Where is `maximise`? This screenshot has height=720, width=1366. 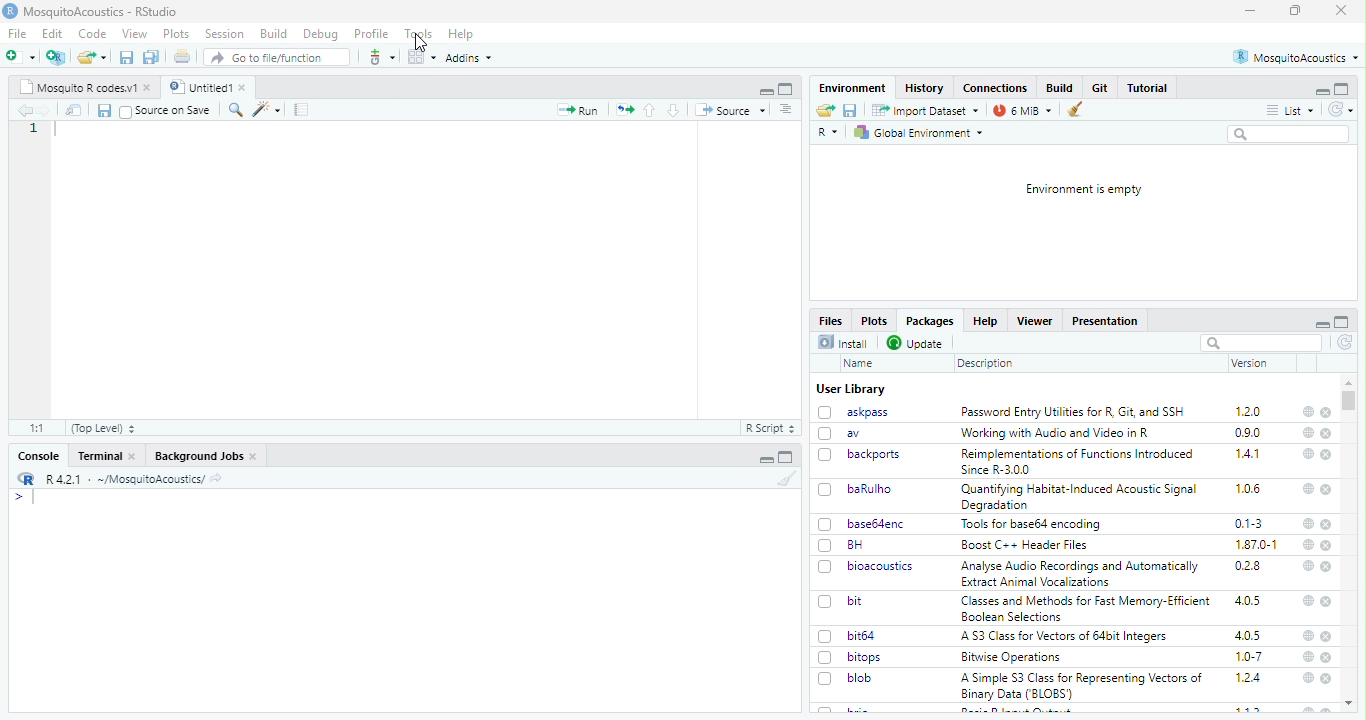
maximise is located at coordinates (1342, 89).